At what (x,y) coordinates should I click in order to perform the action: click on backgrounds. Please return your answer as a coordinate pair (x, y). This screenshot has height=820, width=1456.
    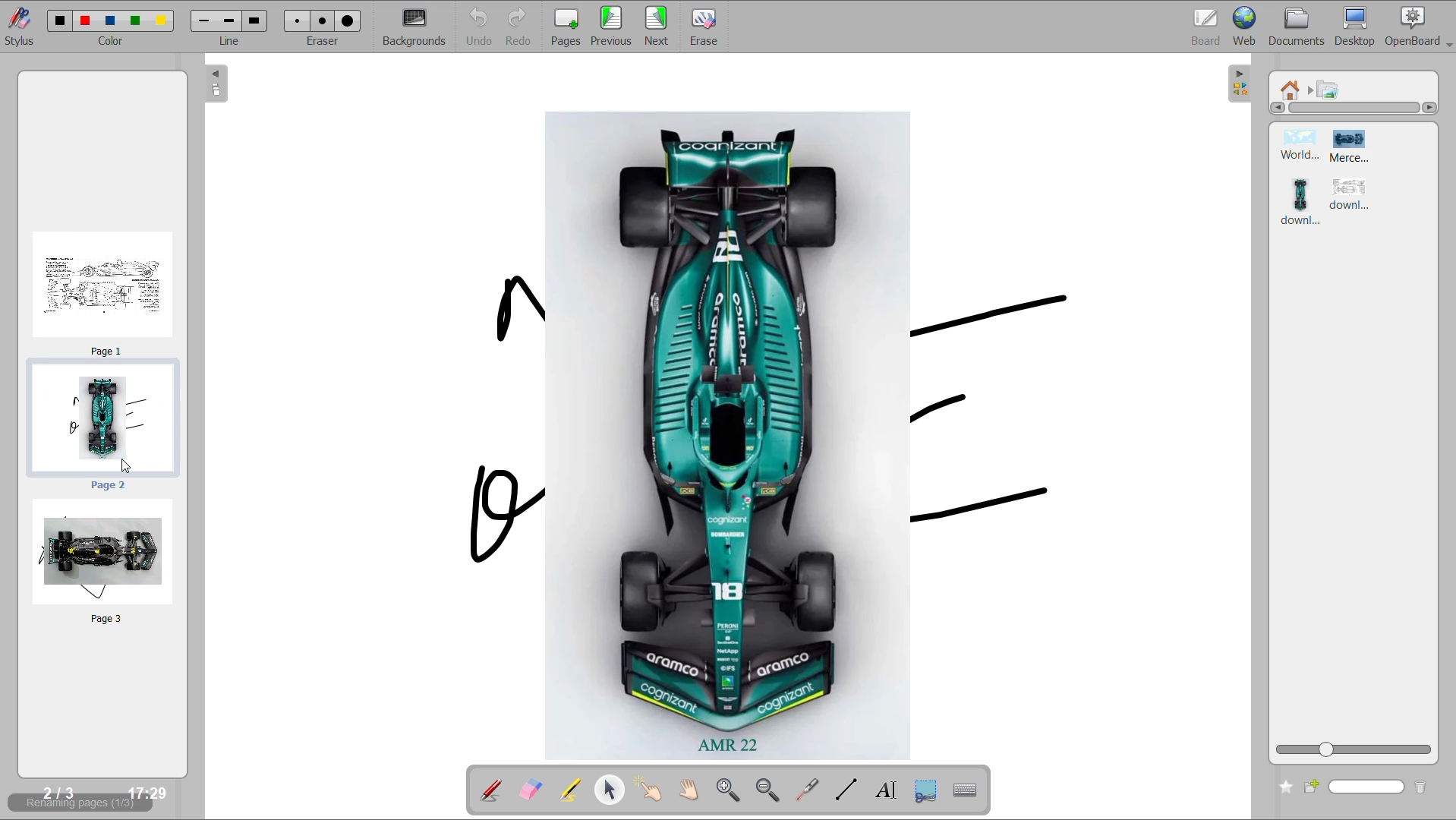
    Looking at the image, I should click on (416, 27).